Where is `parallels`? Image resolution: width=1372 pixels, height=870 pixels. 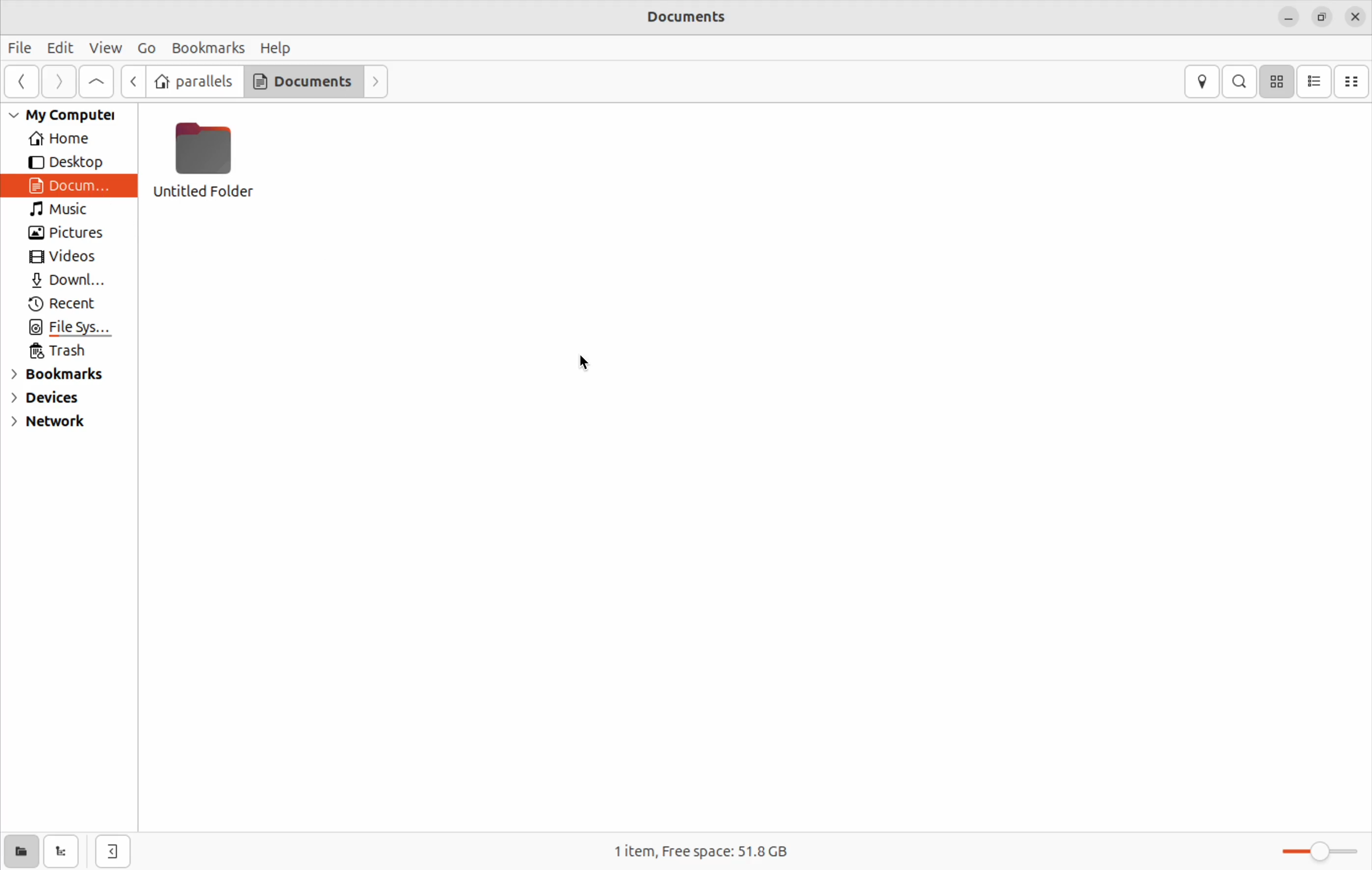 parallels is located at coordinates (193, 81).